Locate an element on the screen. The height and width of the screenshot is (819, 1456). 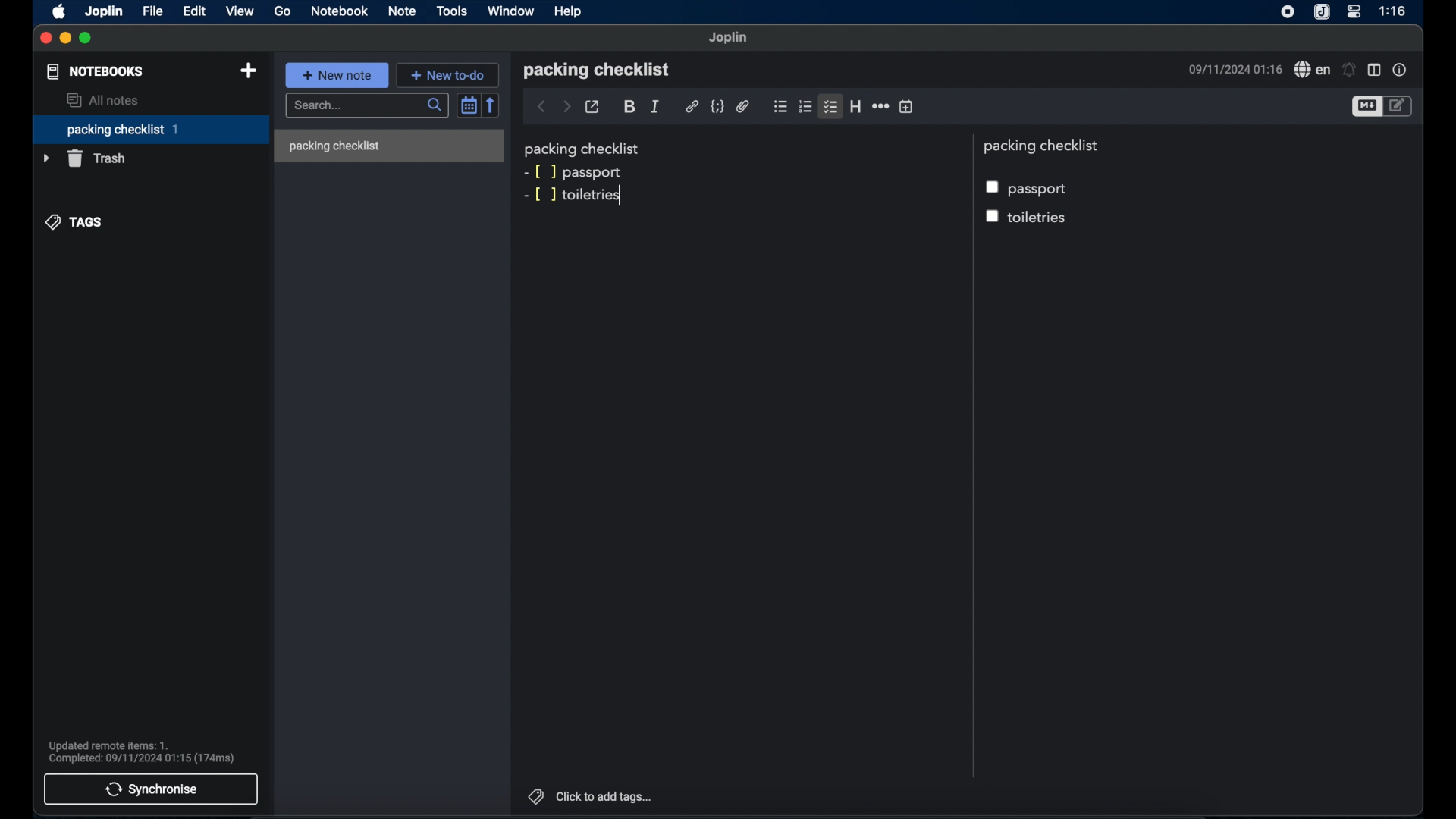
toggle edito is located at coordinates (1399, 107).